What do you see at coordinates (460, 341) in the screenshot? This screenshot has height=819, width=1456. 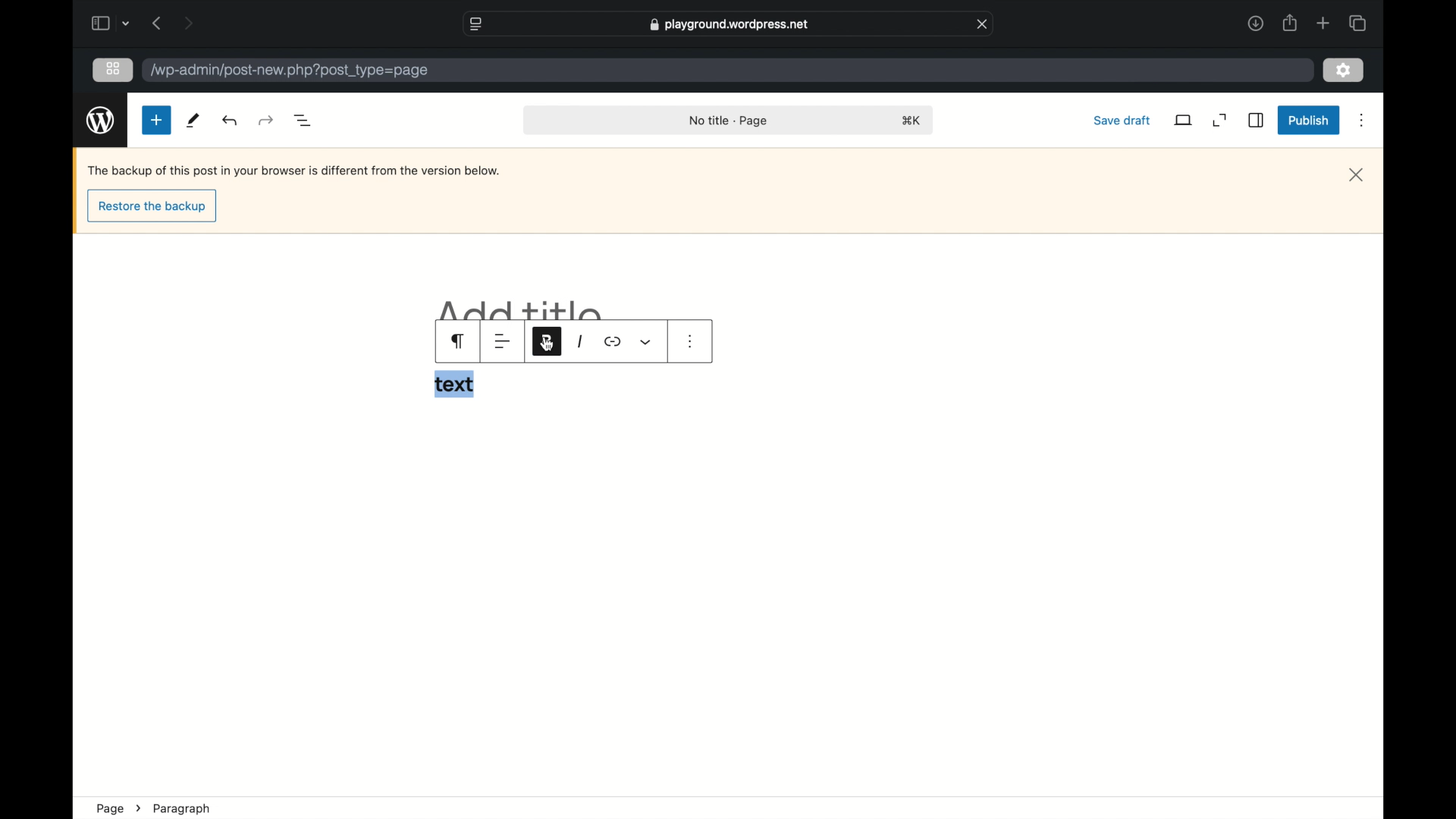 I see `paragraph` at bounding box center [460, 341].